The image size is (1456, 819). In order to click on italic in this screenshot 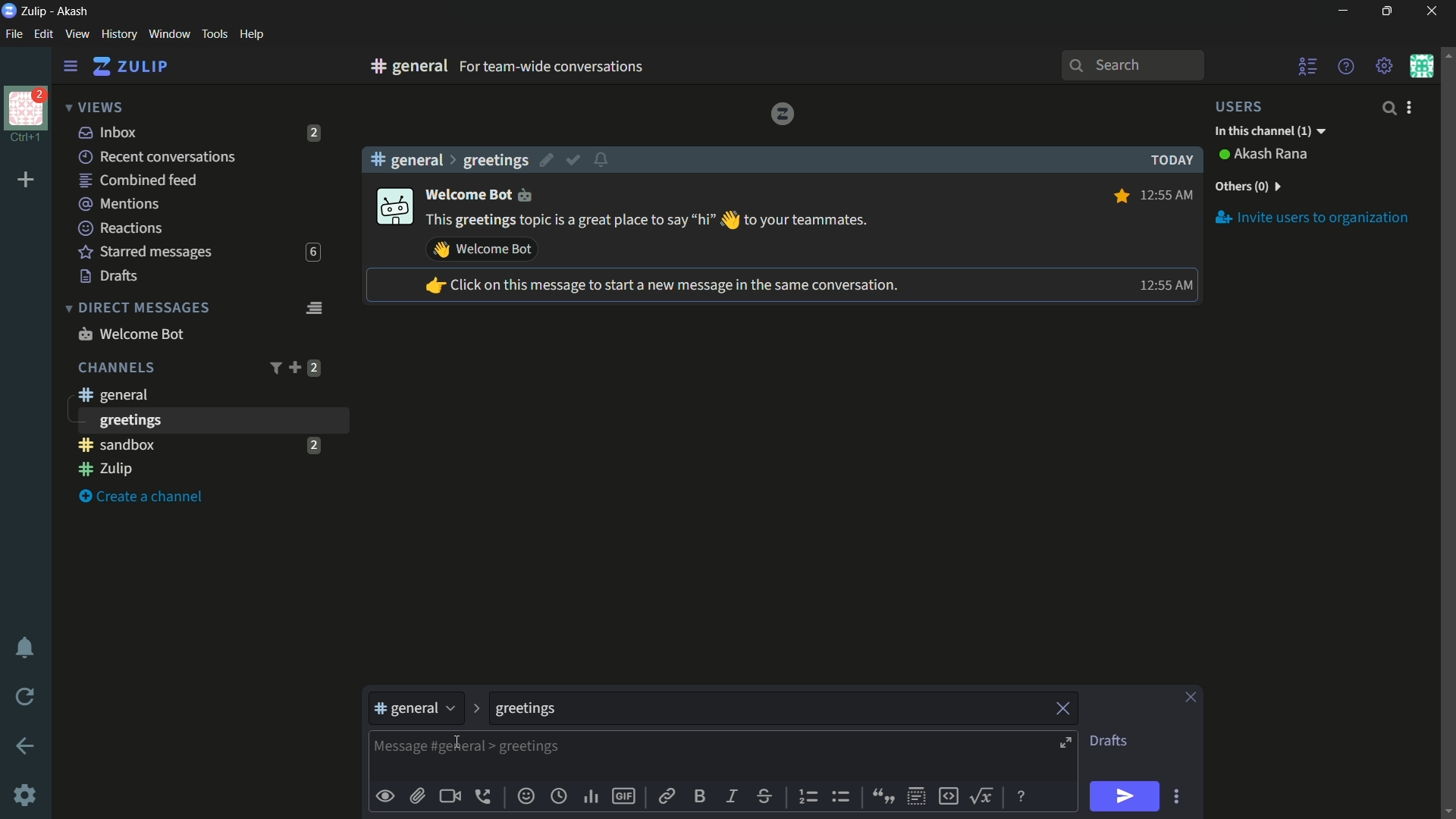, I will do `click(730, 795)`.